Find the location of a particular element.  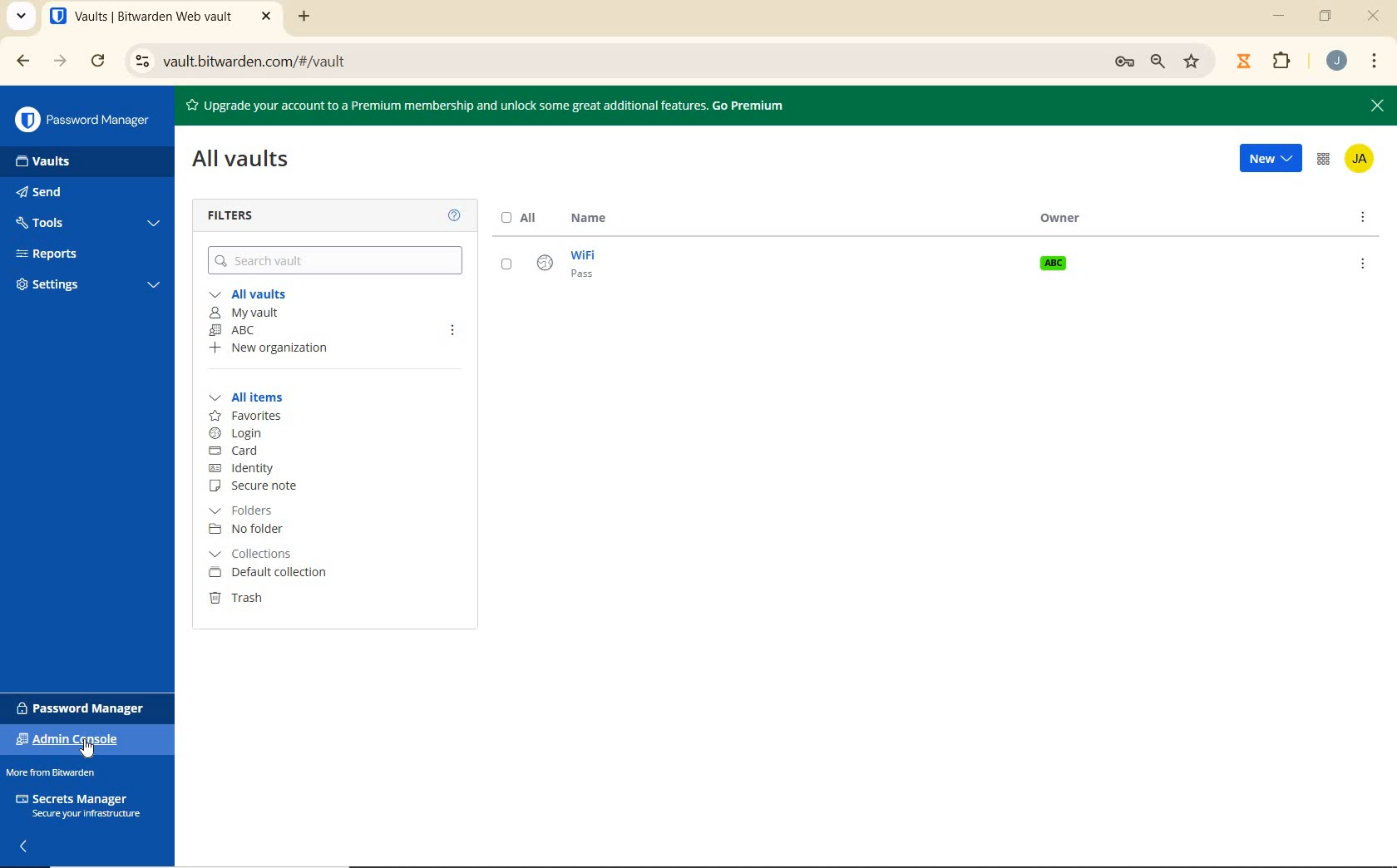

TRASH is located at coordinates (238, 600).